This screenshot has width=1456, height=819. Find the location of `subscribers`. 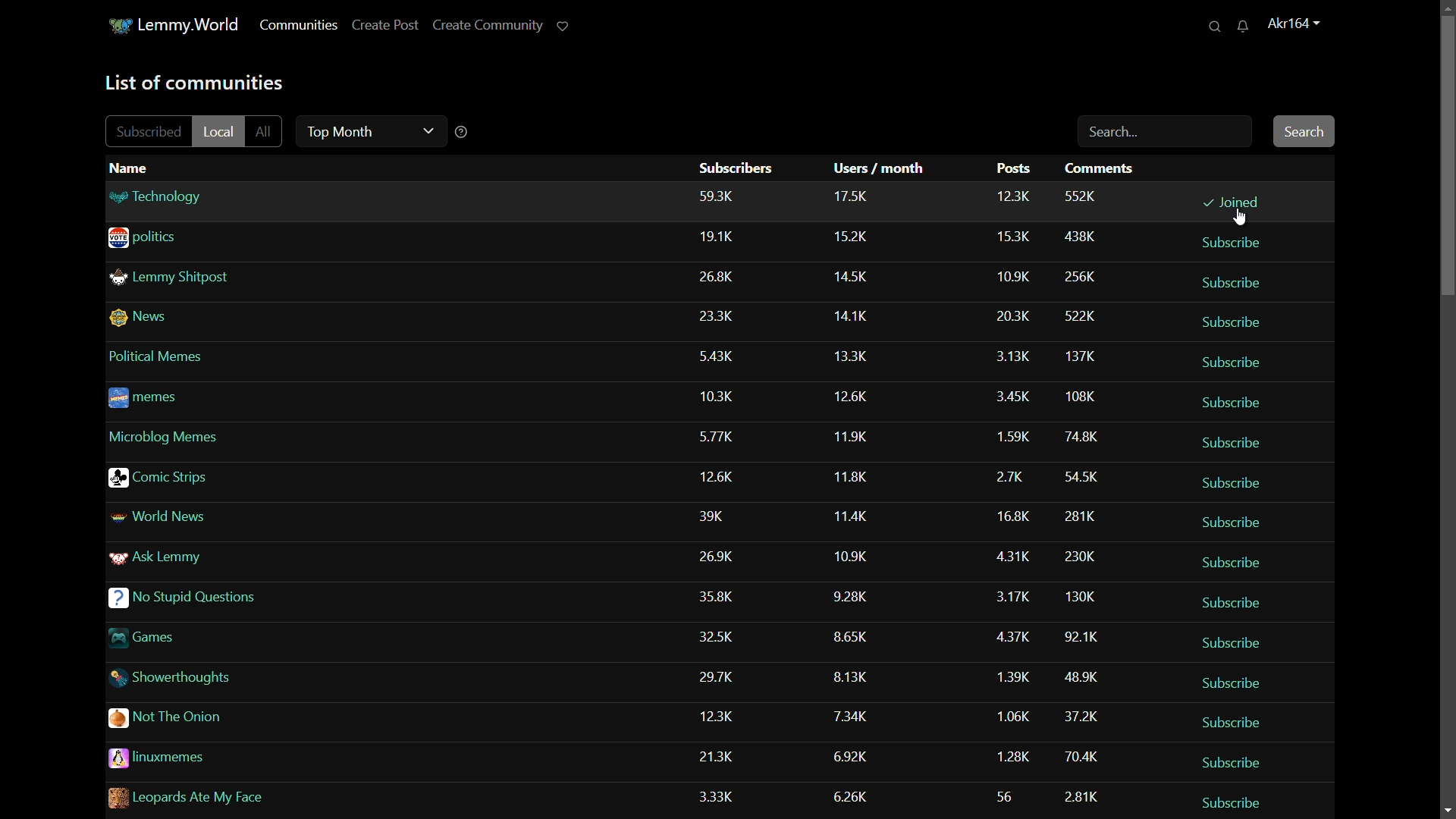

subscribers is located at coordinates (720, 557).